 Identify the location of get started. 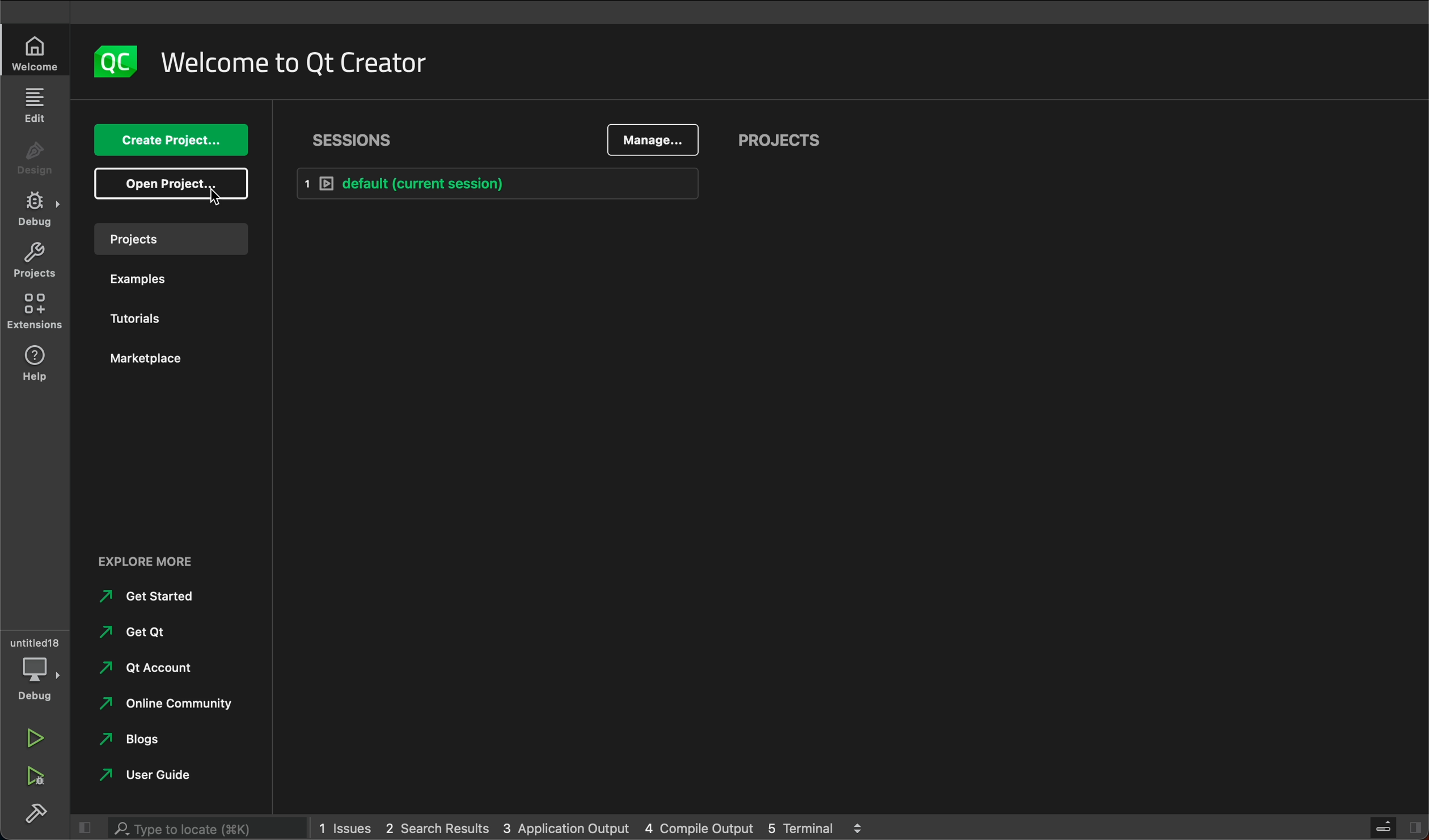
(161, 596).